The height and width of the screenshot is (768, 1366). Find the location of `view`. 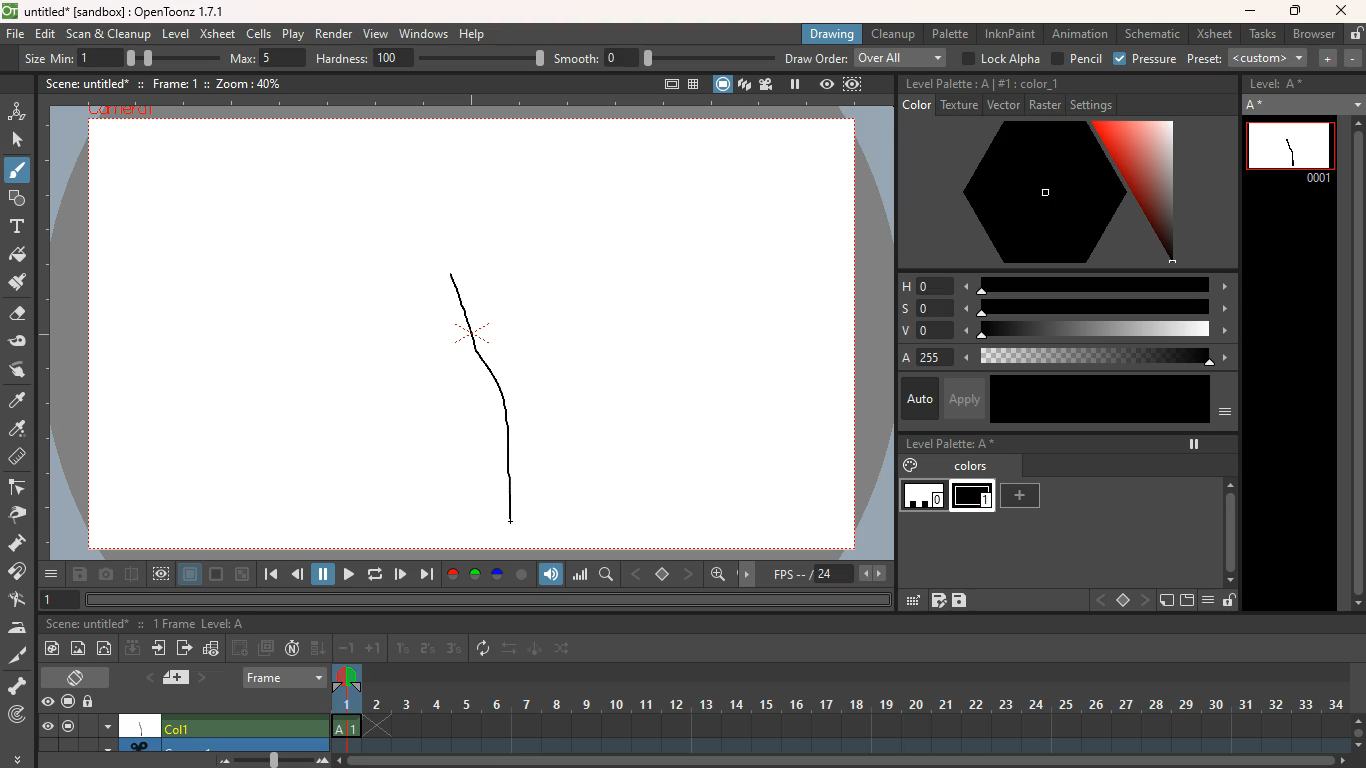

view is located at coordinates (825, 85).